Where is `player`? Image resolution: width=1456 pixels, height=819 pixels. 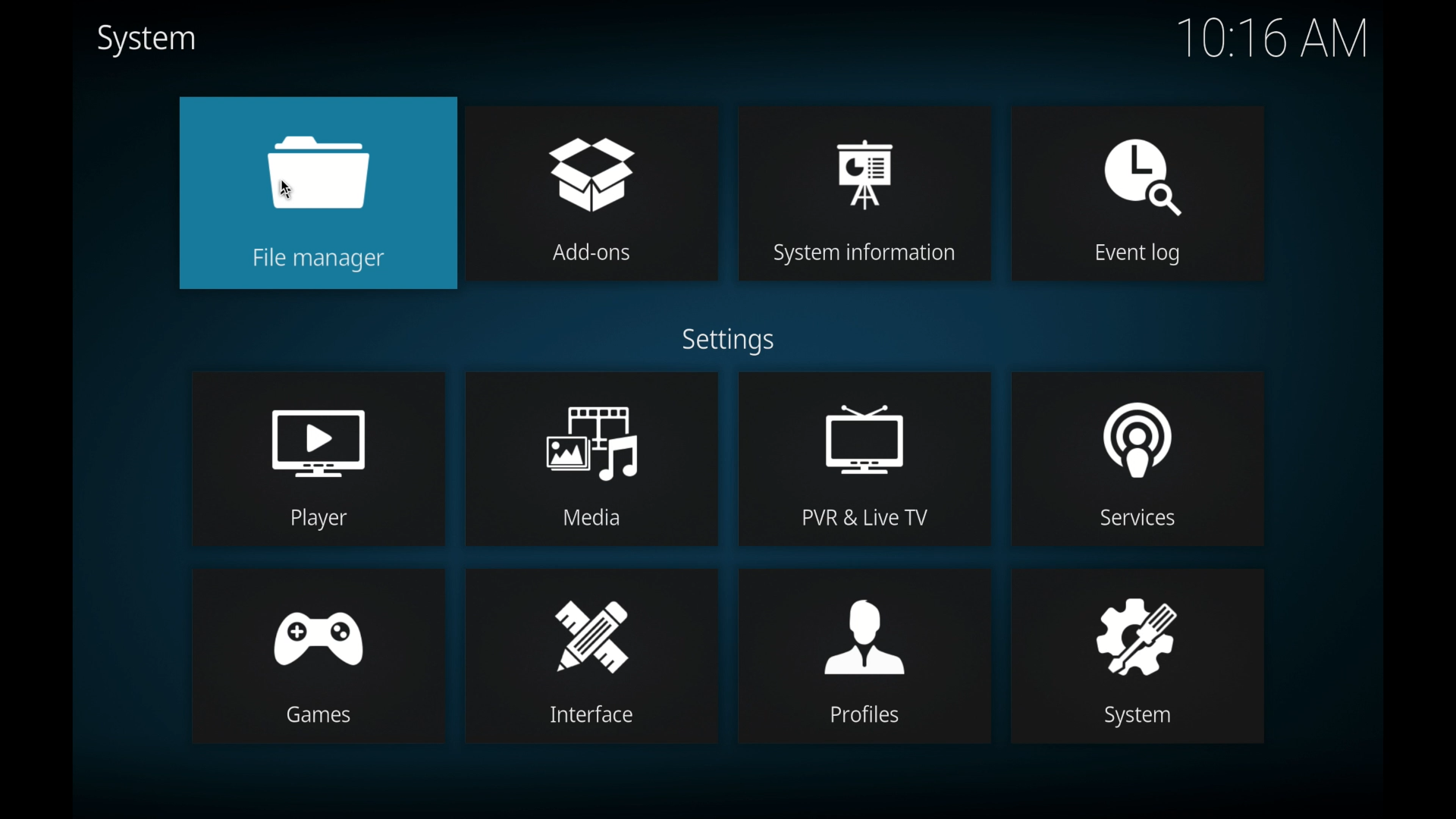 player is located at coordinates (318, 458).